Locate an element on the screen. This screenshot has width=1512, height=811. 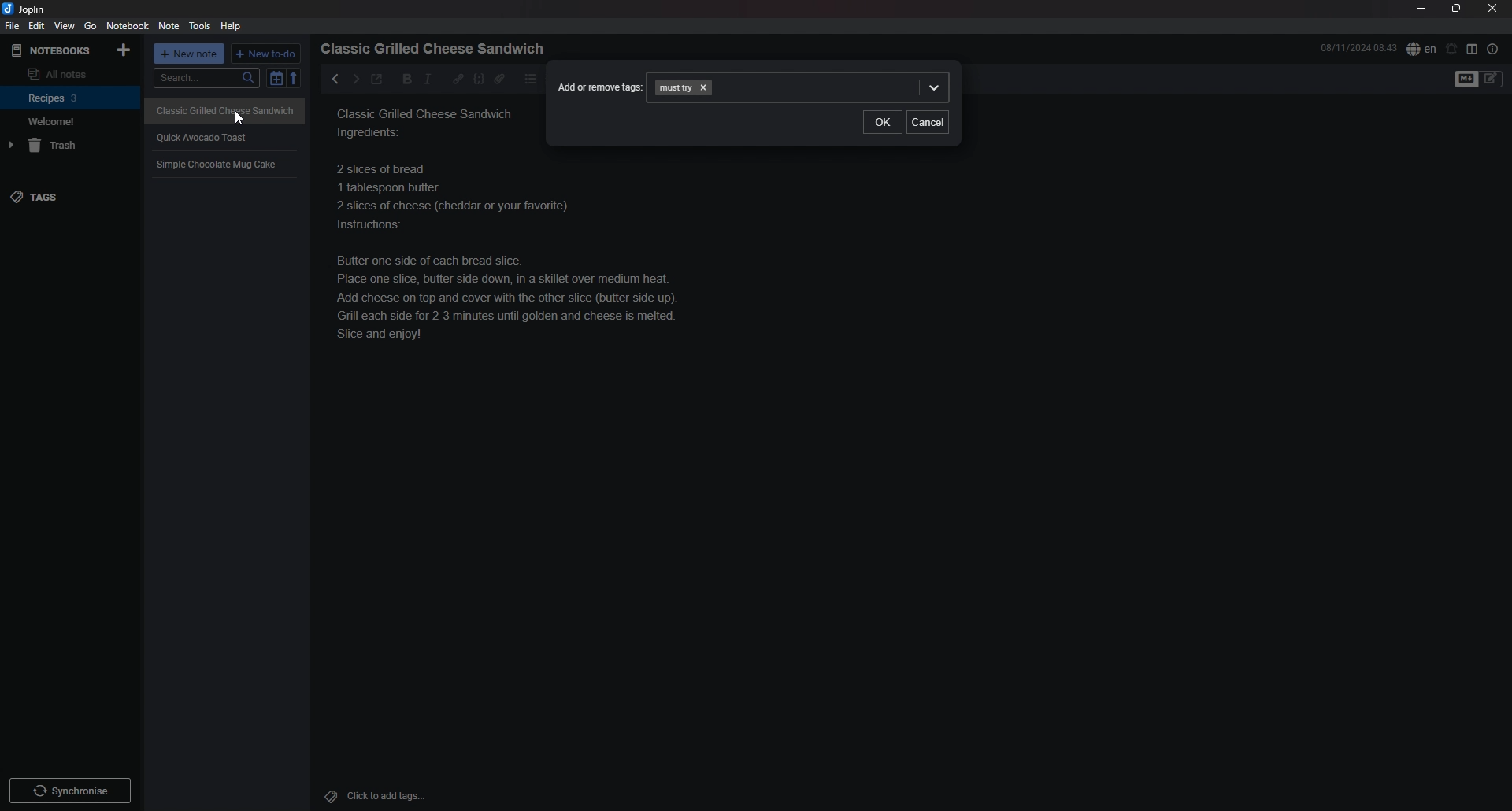
Simple chocolate mug cake is located at coordinates (428, 149).